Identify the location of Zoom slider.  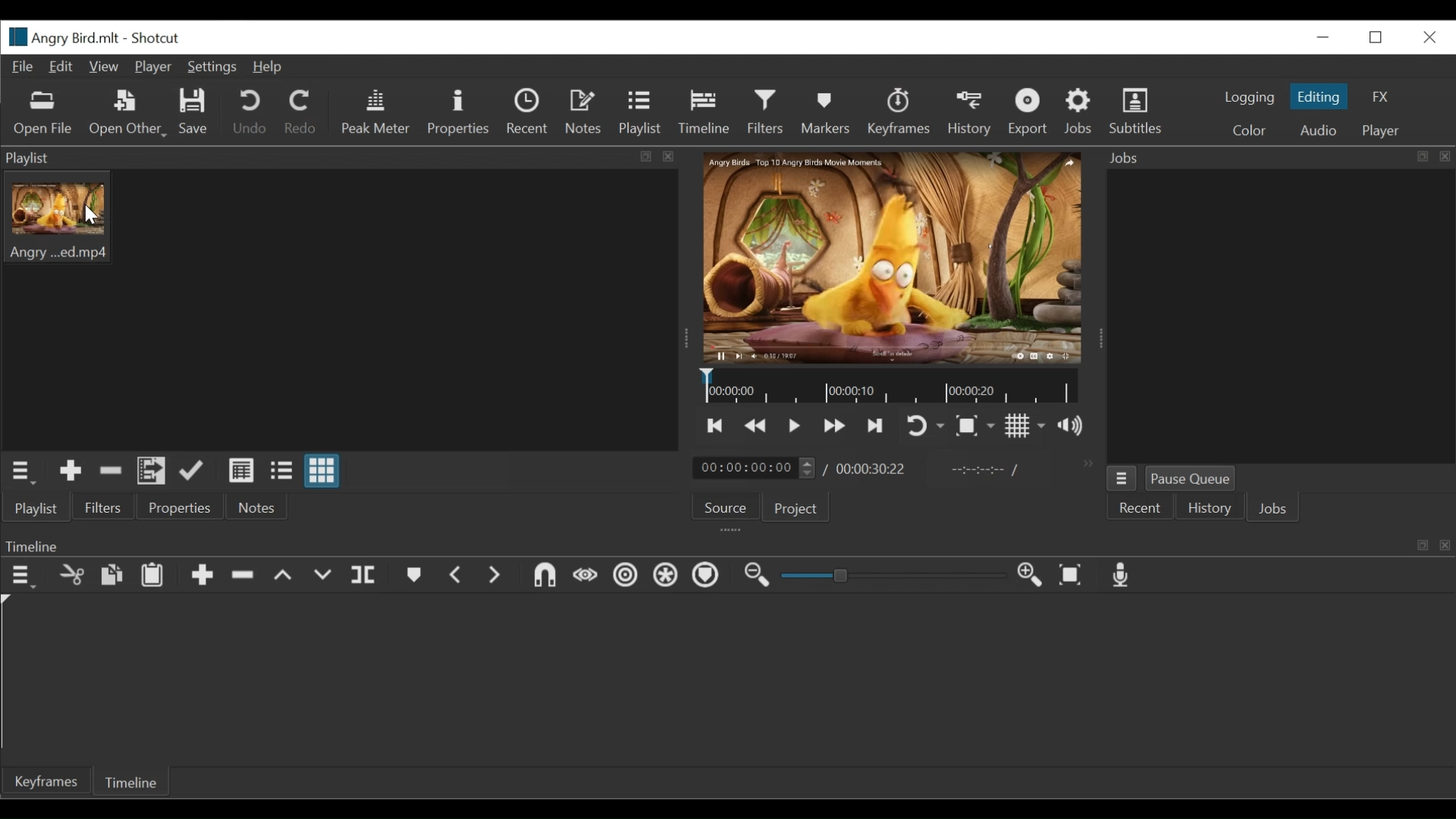
(890, 576).